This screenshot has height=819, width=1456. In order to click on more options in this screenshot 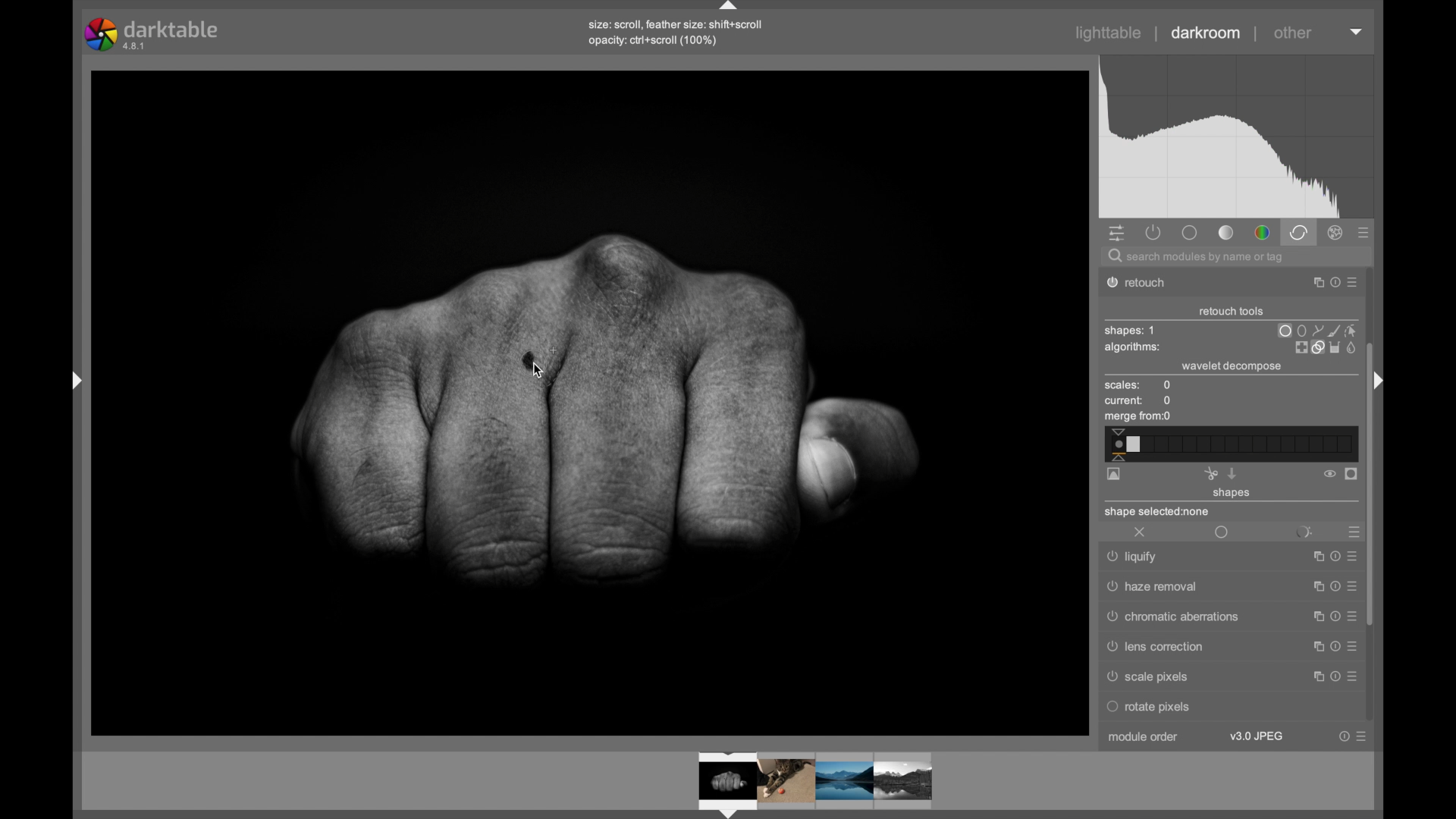, I will do `click(1351, 617)`.